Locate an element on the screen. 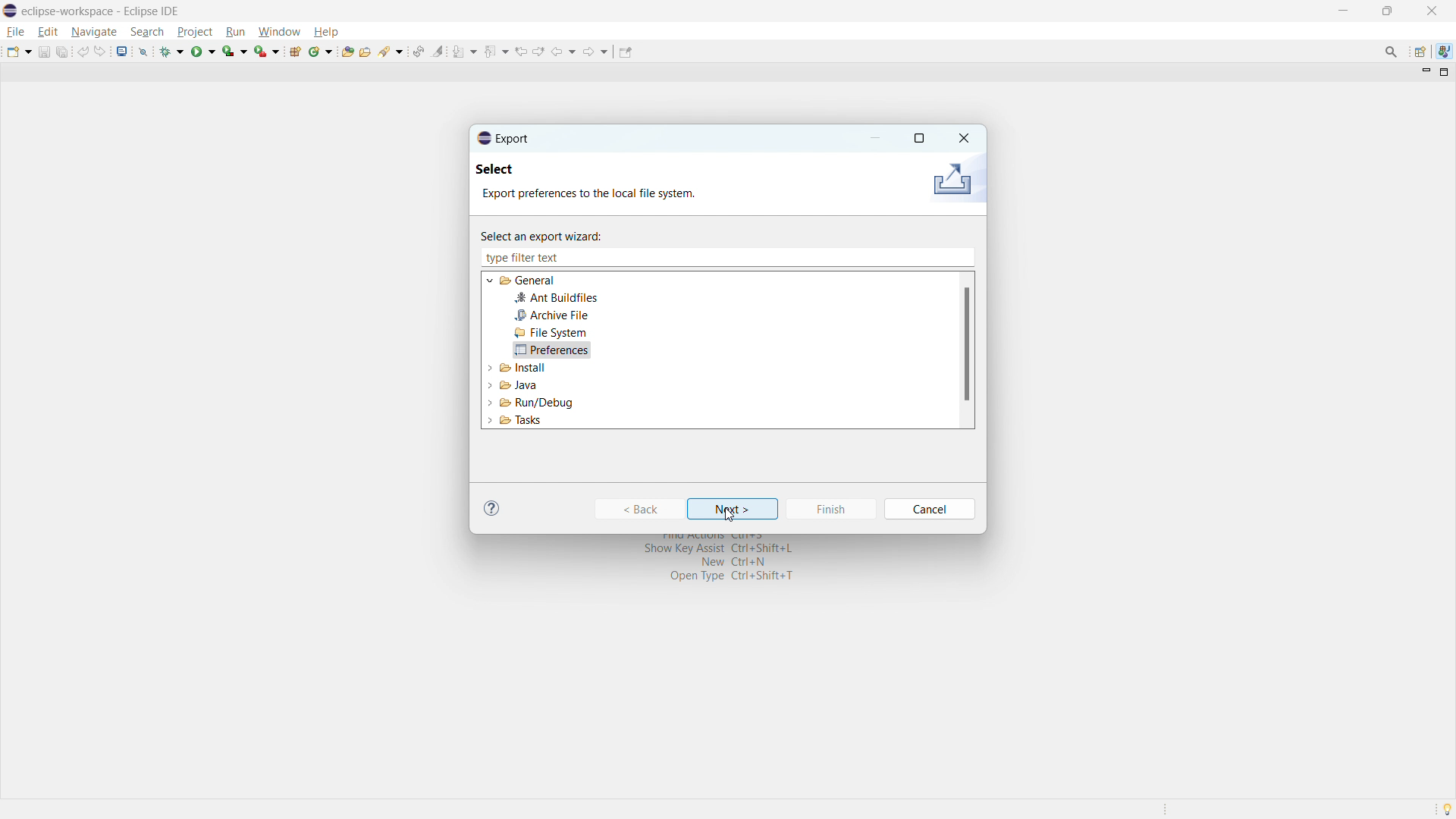 Image resolution: width=1456 pixels, height=819 pixels. Tip of the day is located at coordinates (1446, 808).